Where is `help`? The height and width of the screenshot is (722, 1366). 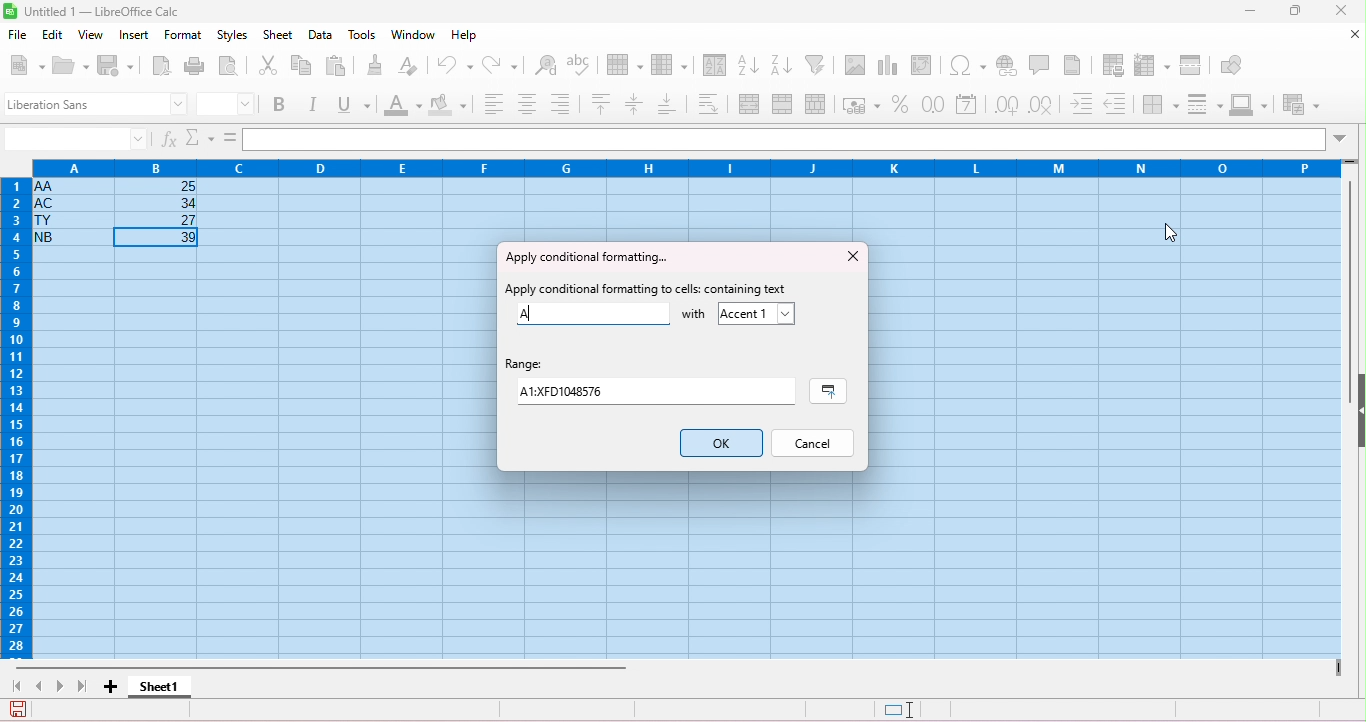 help is located at coordinates (464, 35).